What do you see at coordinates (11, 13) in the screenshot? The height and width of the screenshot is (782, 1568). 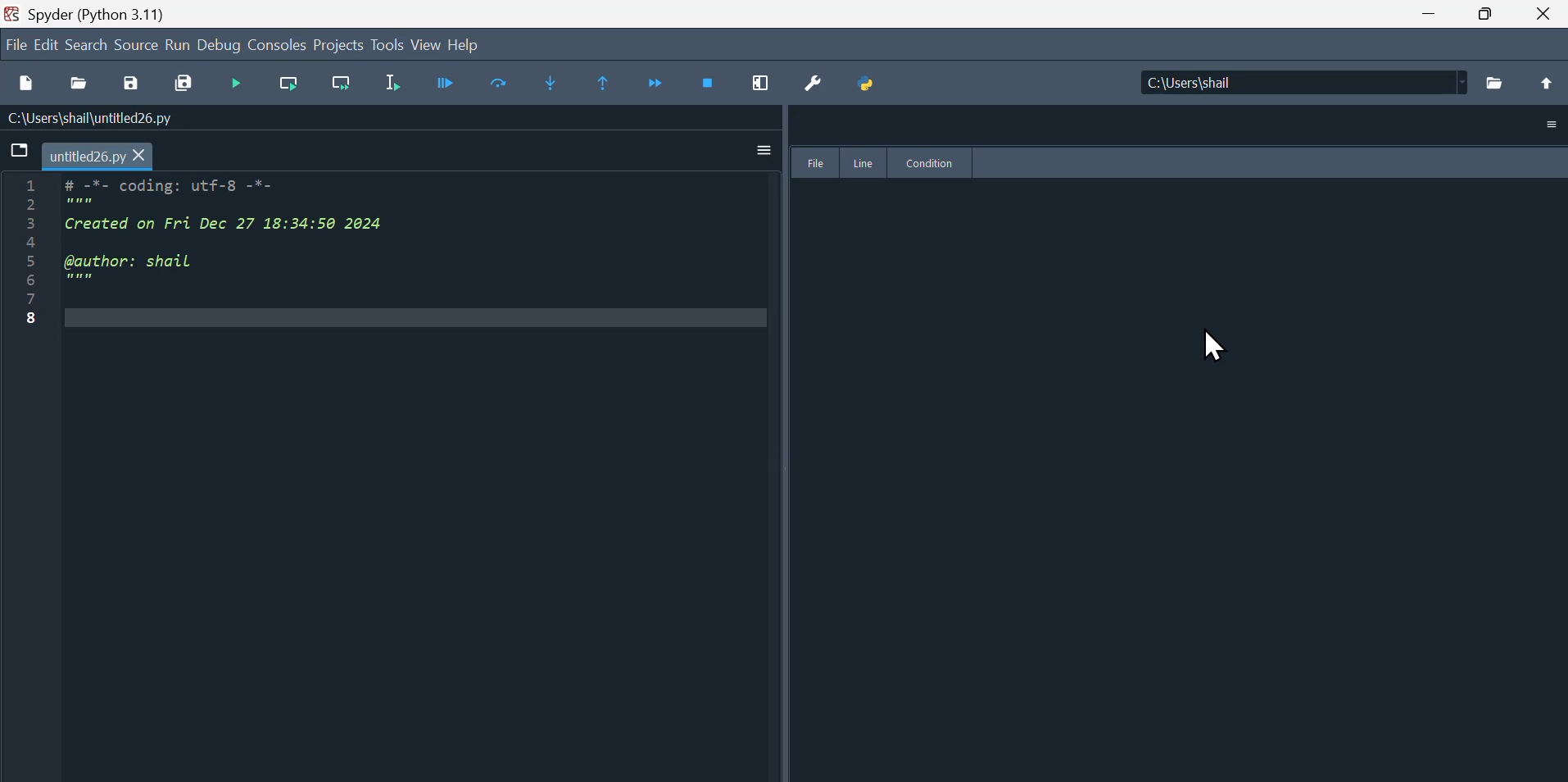 I see `Spyder Desktop Icon` at bounding box center [11, 13].